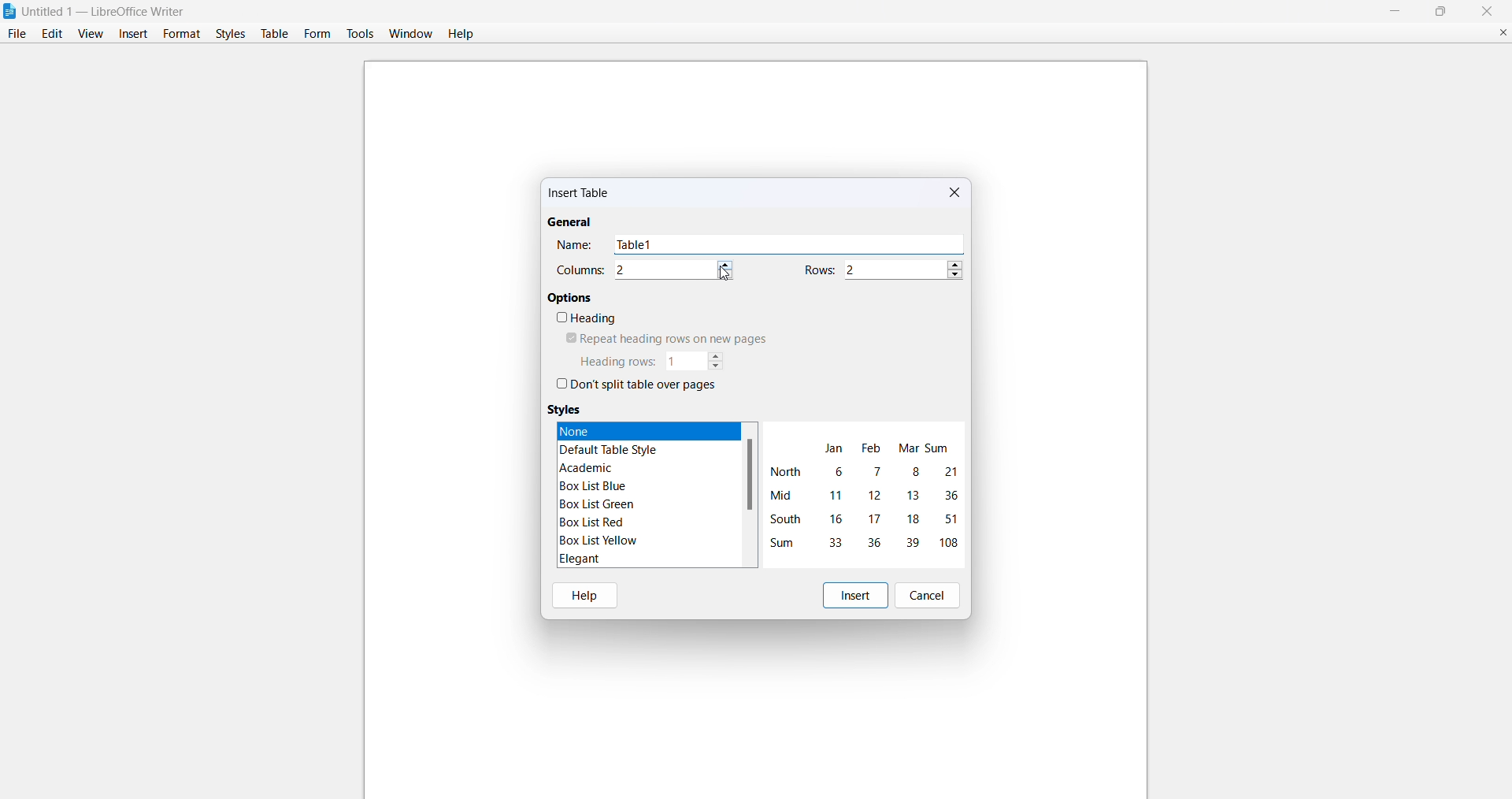  What do you see at coordinates (595, 486) in the screenshot?
I see `box list blue` at bounding box center [595, 486].